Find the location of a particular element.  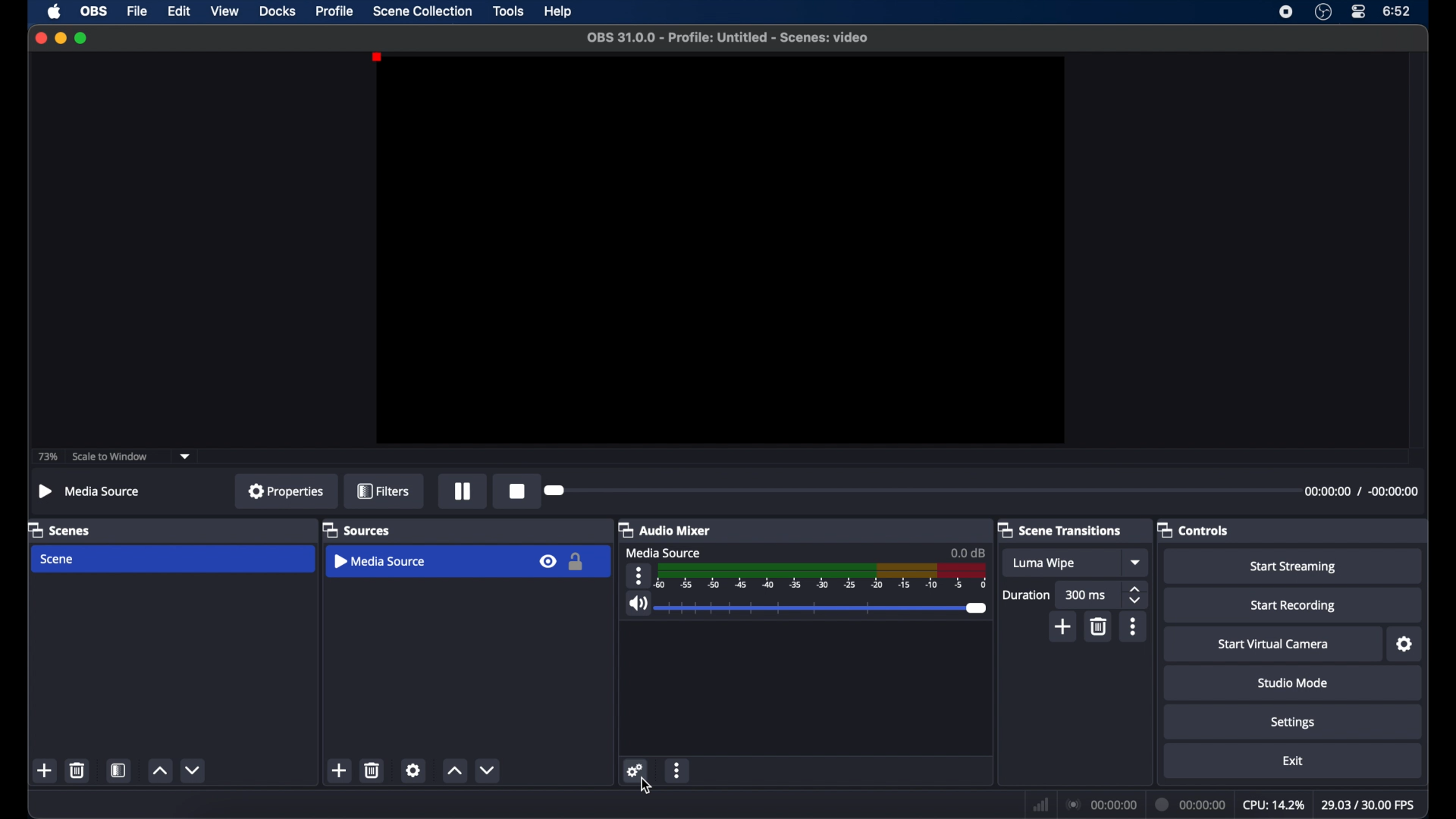

obs is located at coordinates (96, 11).